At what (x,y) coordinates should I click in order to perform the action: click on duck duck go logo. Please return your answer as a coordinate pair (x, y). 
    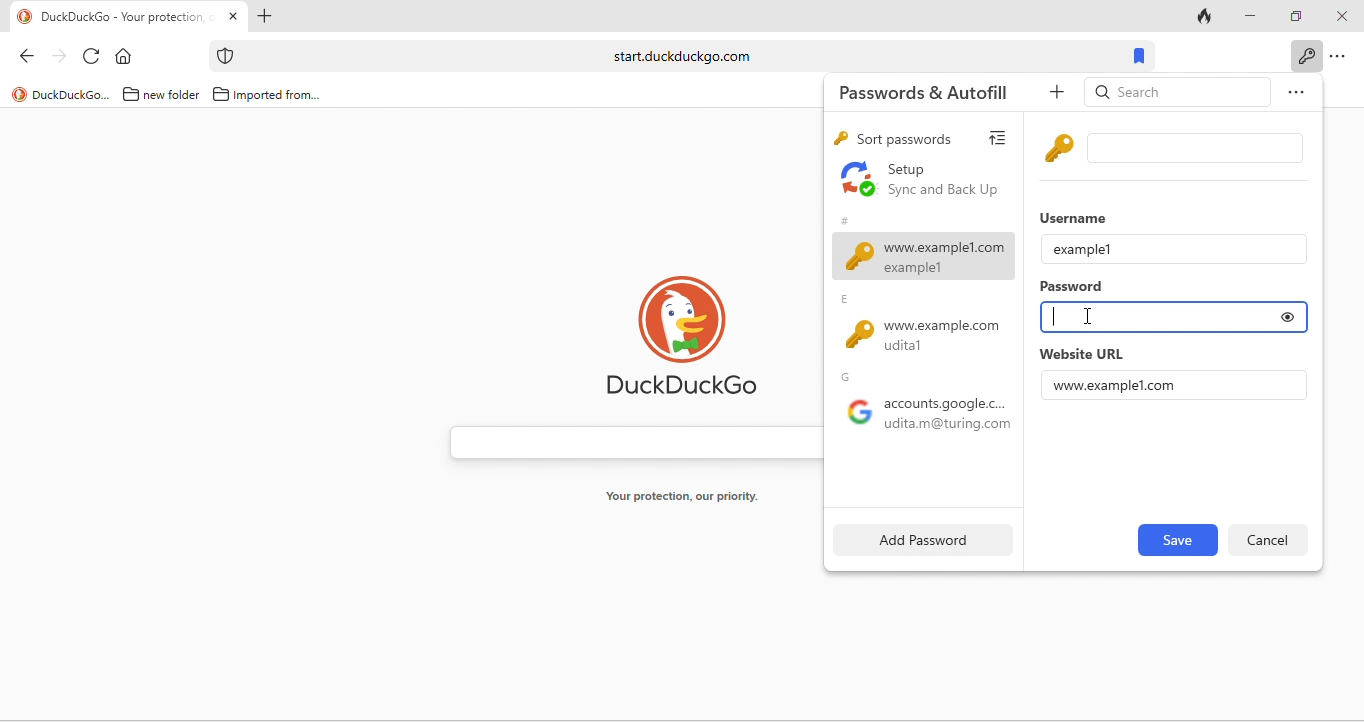
    Looking at the image, I should click on (683, 333).